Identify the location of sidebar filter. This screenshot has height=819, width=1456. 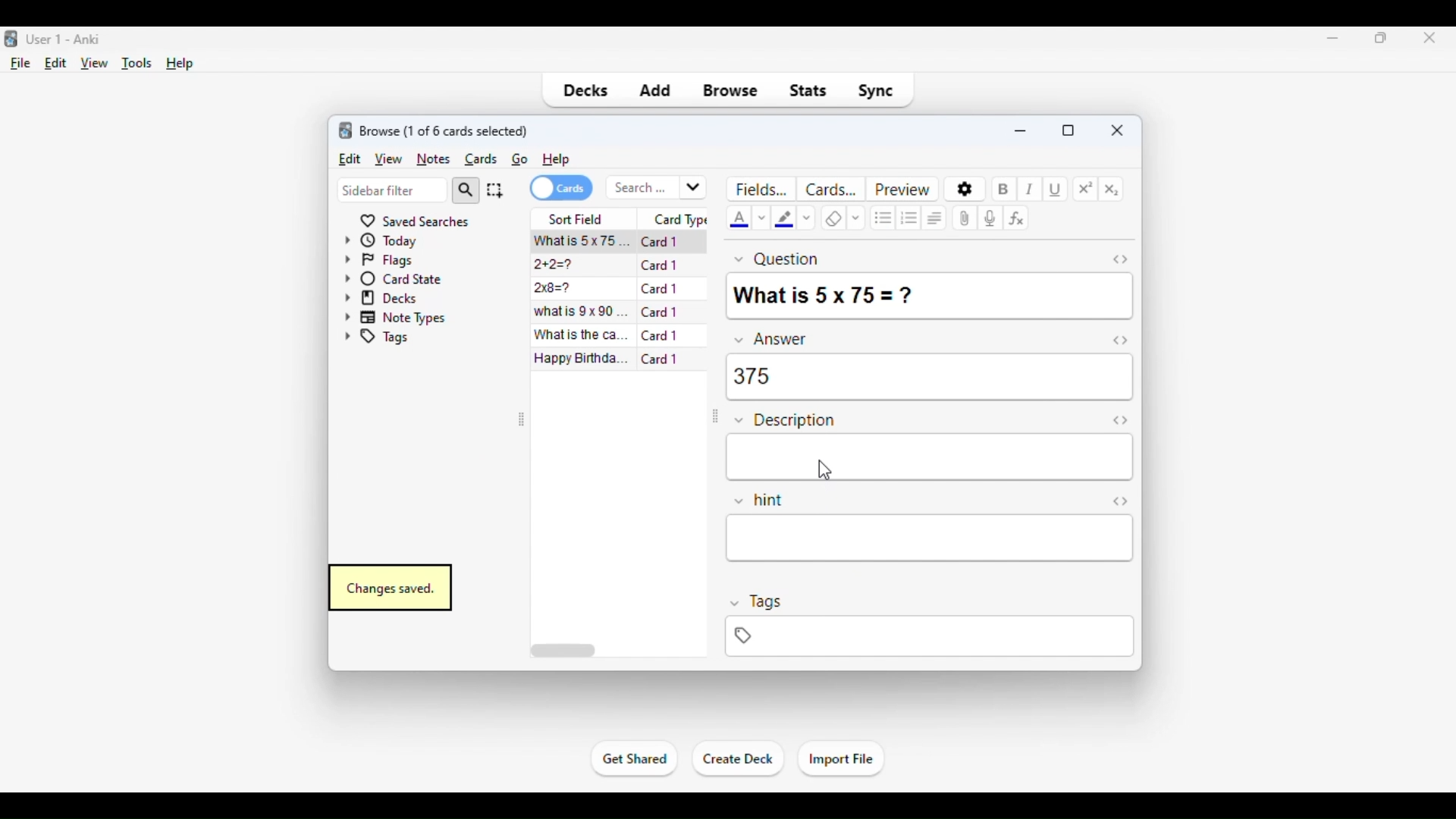
(392, 190).